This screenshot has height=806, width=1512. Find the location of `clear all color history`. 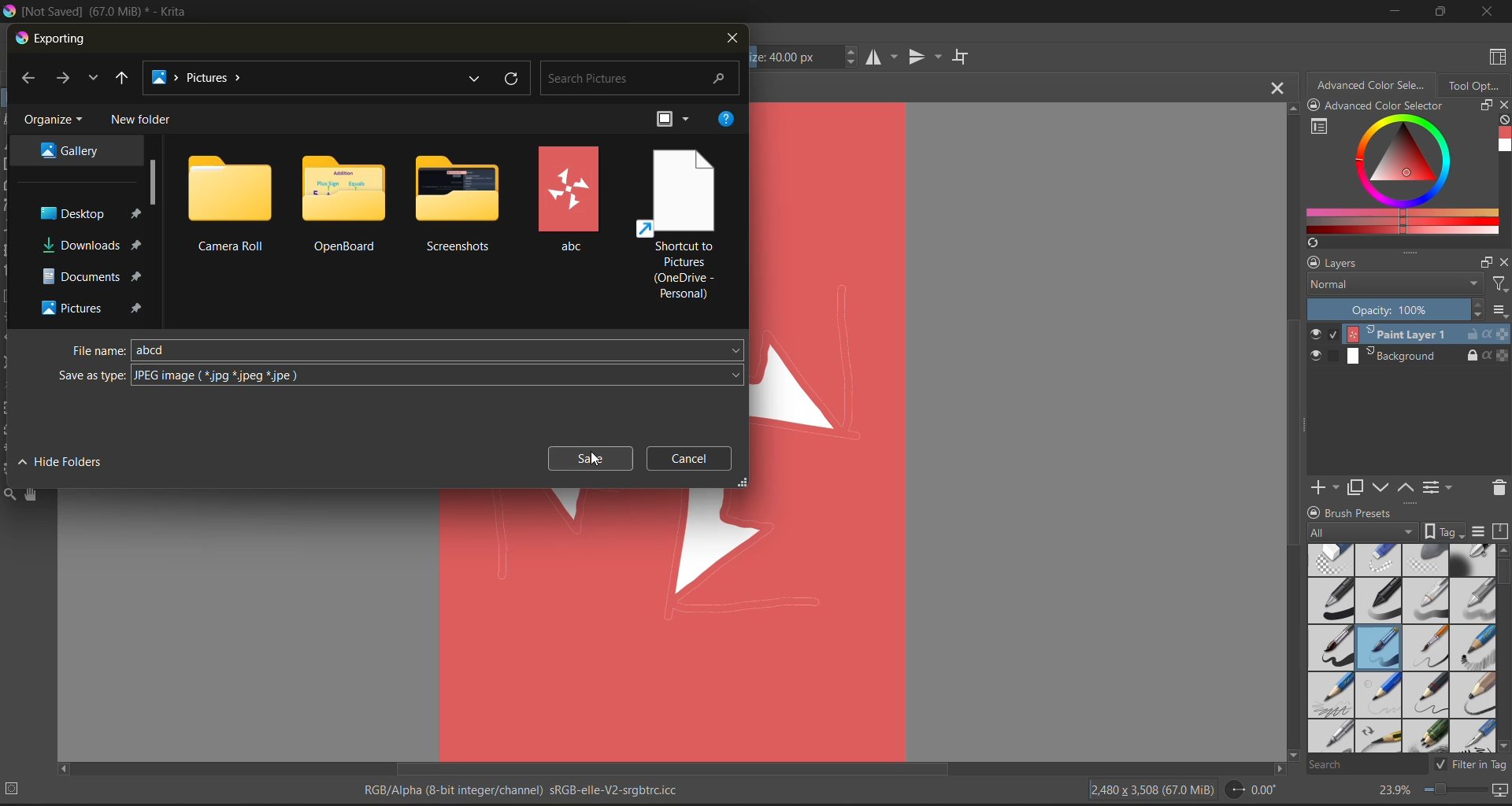

clear all color history is located at coordinates (1501, 119).